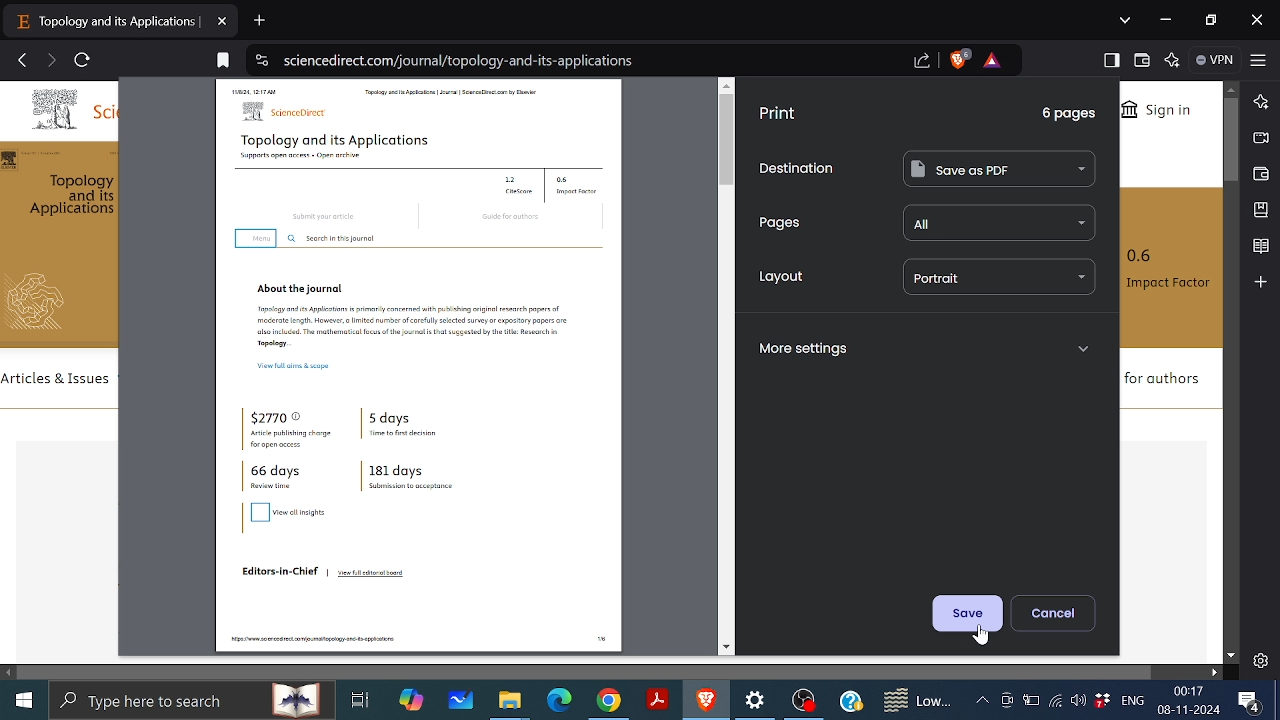 Image resolution: width=1280 pixels, height=720 pixels. What do you see at coordinates (290, 431) in the screenshot?
I see `$2770` at bounding box center [290, 431].